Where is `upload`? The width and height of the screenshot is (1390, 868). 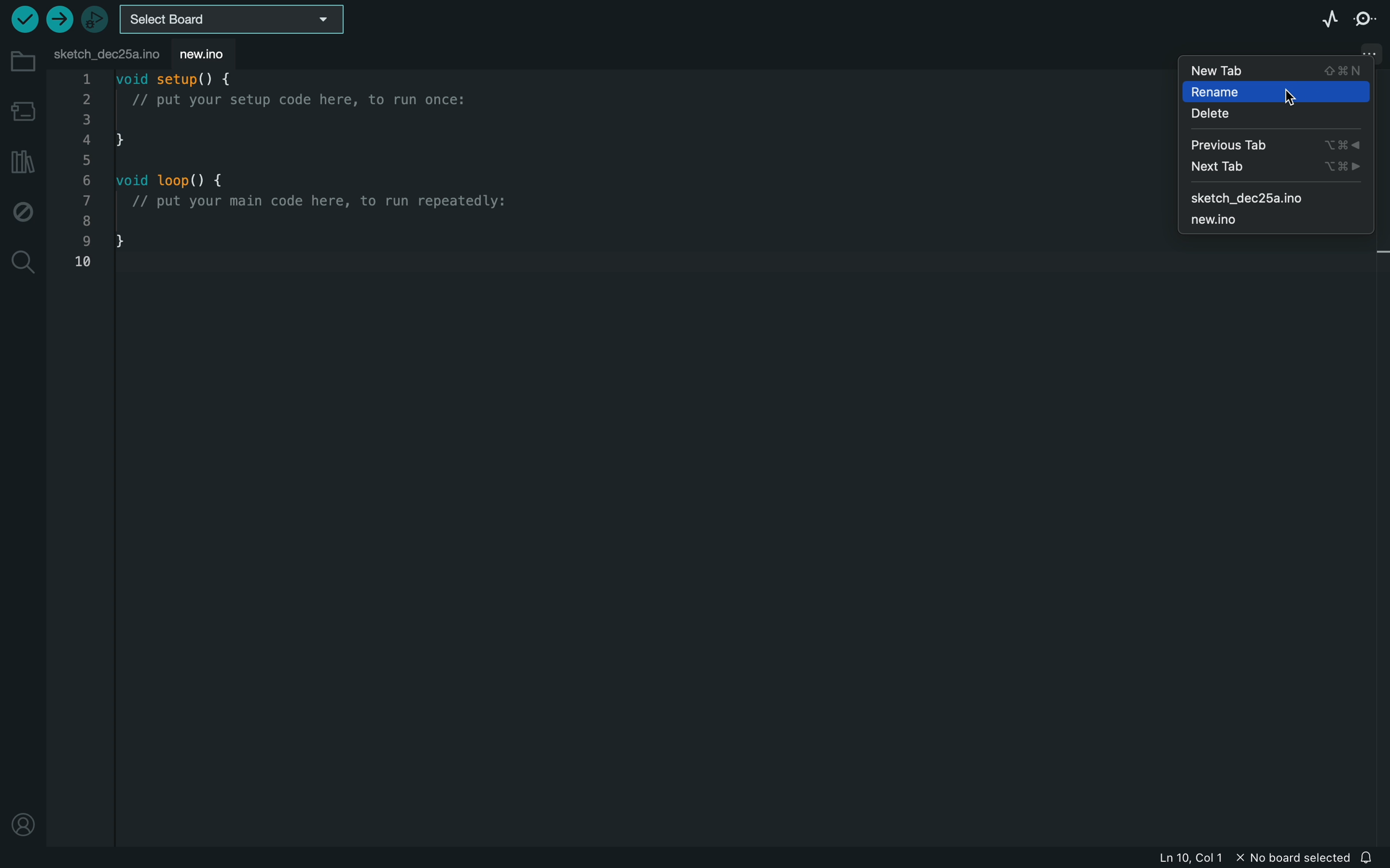 upload is located at coordinates (59, 19).